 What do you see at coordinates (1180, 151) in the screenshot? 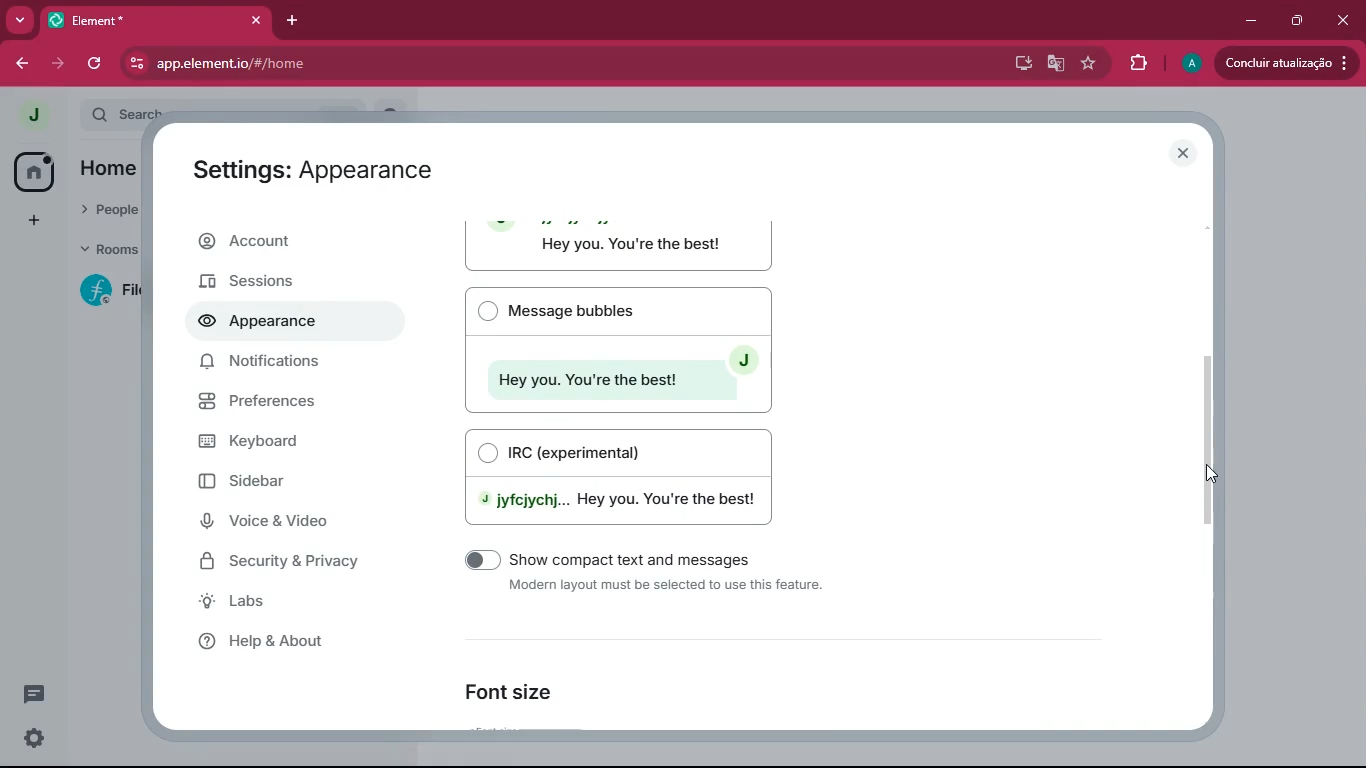
I see `close` at bounding box center [1180, 151].